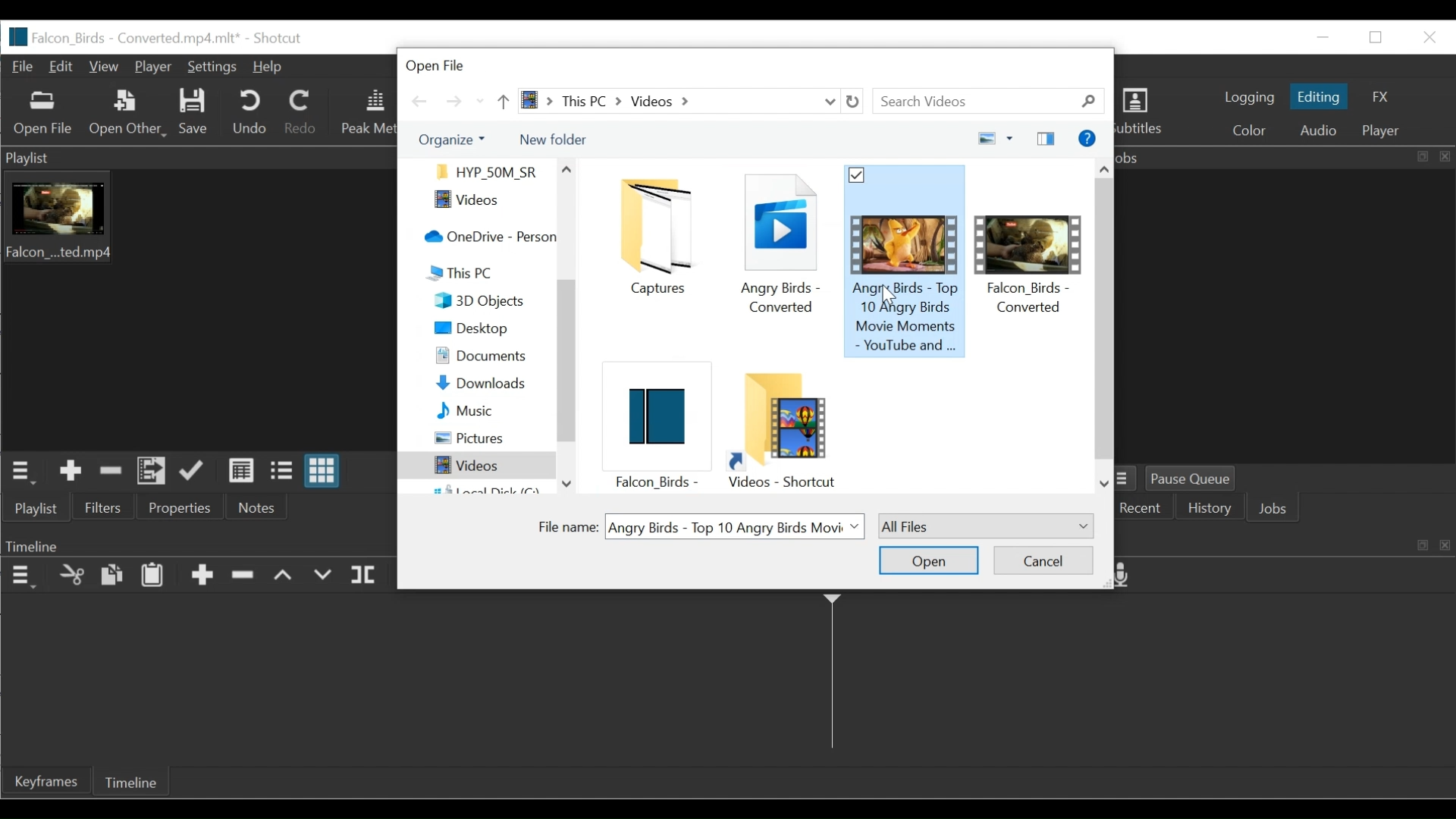 This screenshot has height=819, width=1456. I want to click on Settings, so click(212, 68).